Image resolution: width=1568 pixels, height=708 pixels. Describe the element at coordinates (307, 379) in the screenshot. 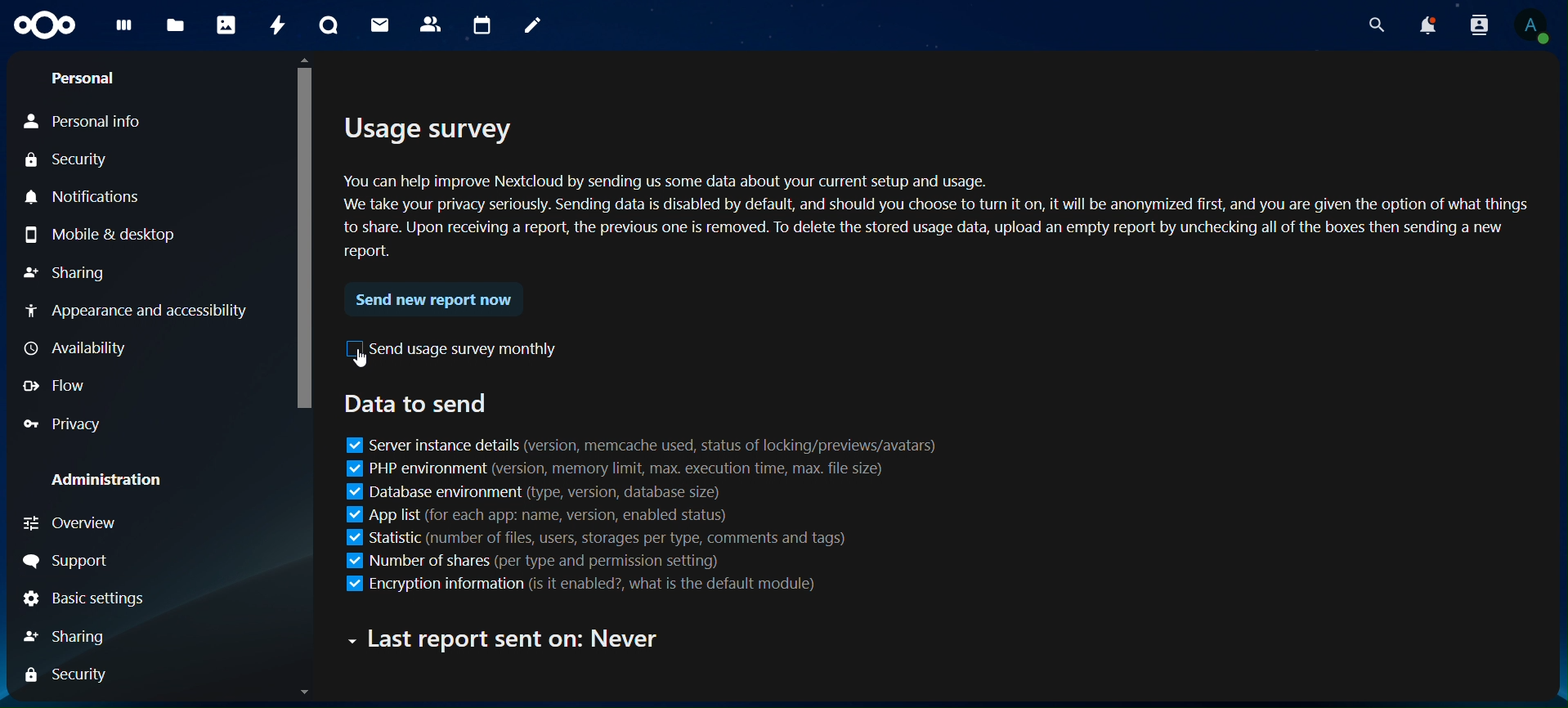

I see `Scrollbar` at that location.